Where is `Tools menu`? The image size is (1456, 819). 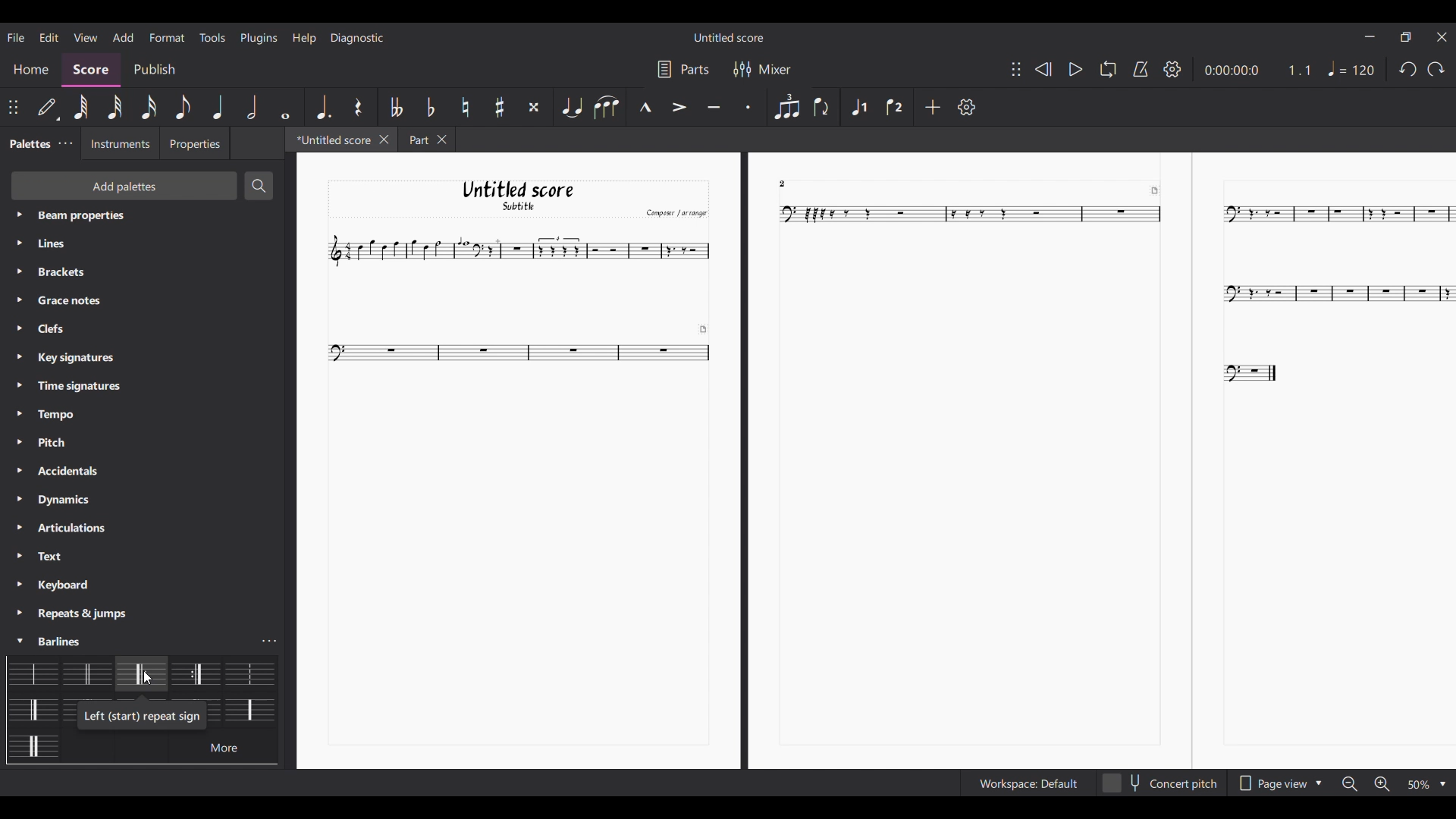
Tools menu is located at coordinates (212, 37).